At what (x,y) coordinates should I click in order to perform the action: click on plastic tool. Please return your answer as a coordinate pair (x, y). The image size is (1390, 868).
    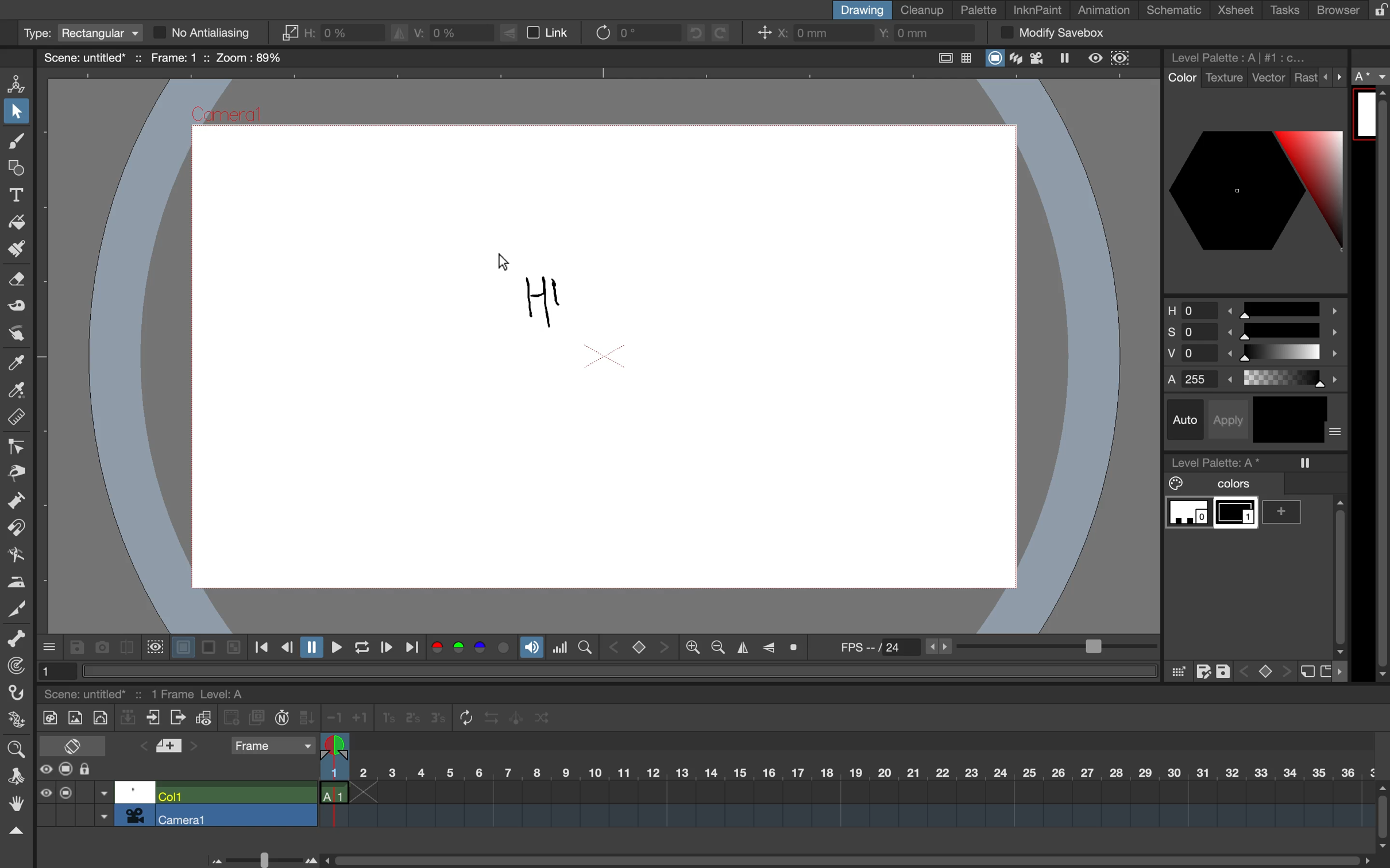
    Looking at the image, I should click on (15, 722).